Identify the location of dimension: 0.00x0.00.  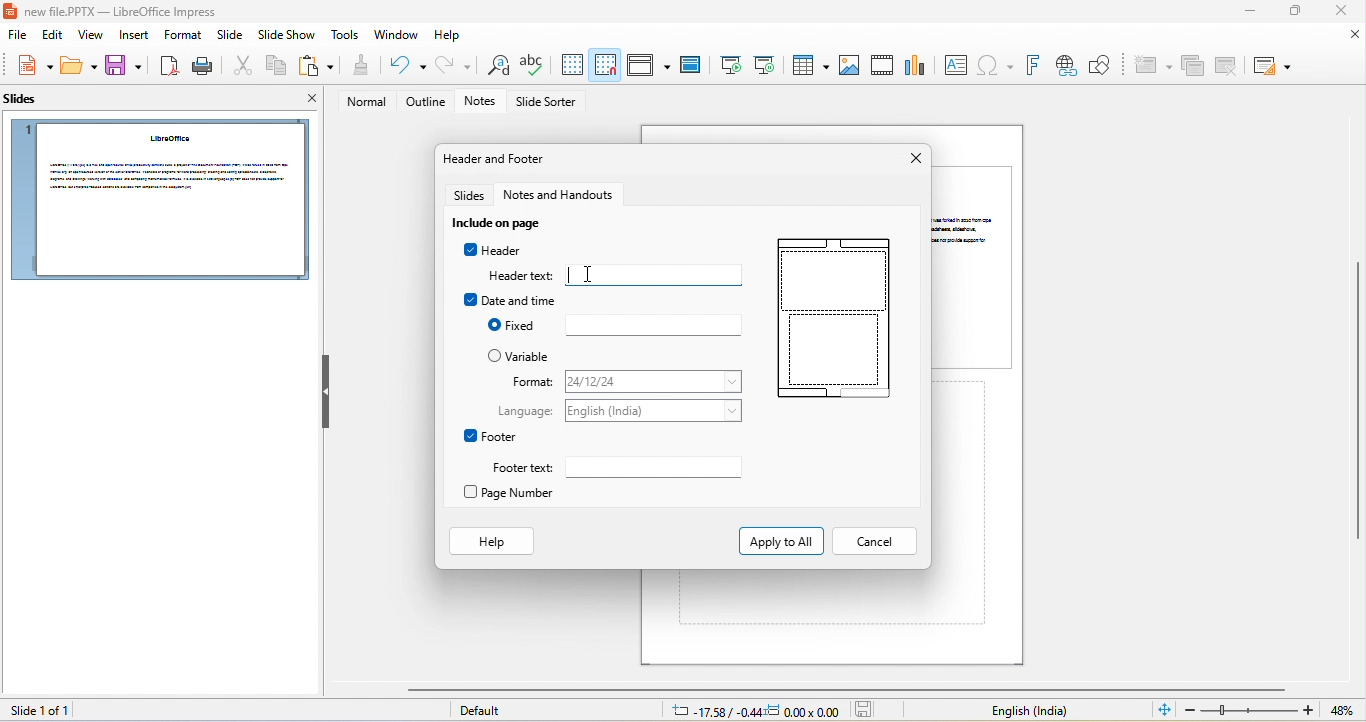
(803, 711).